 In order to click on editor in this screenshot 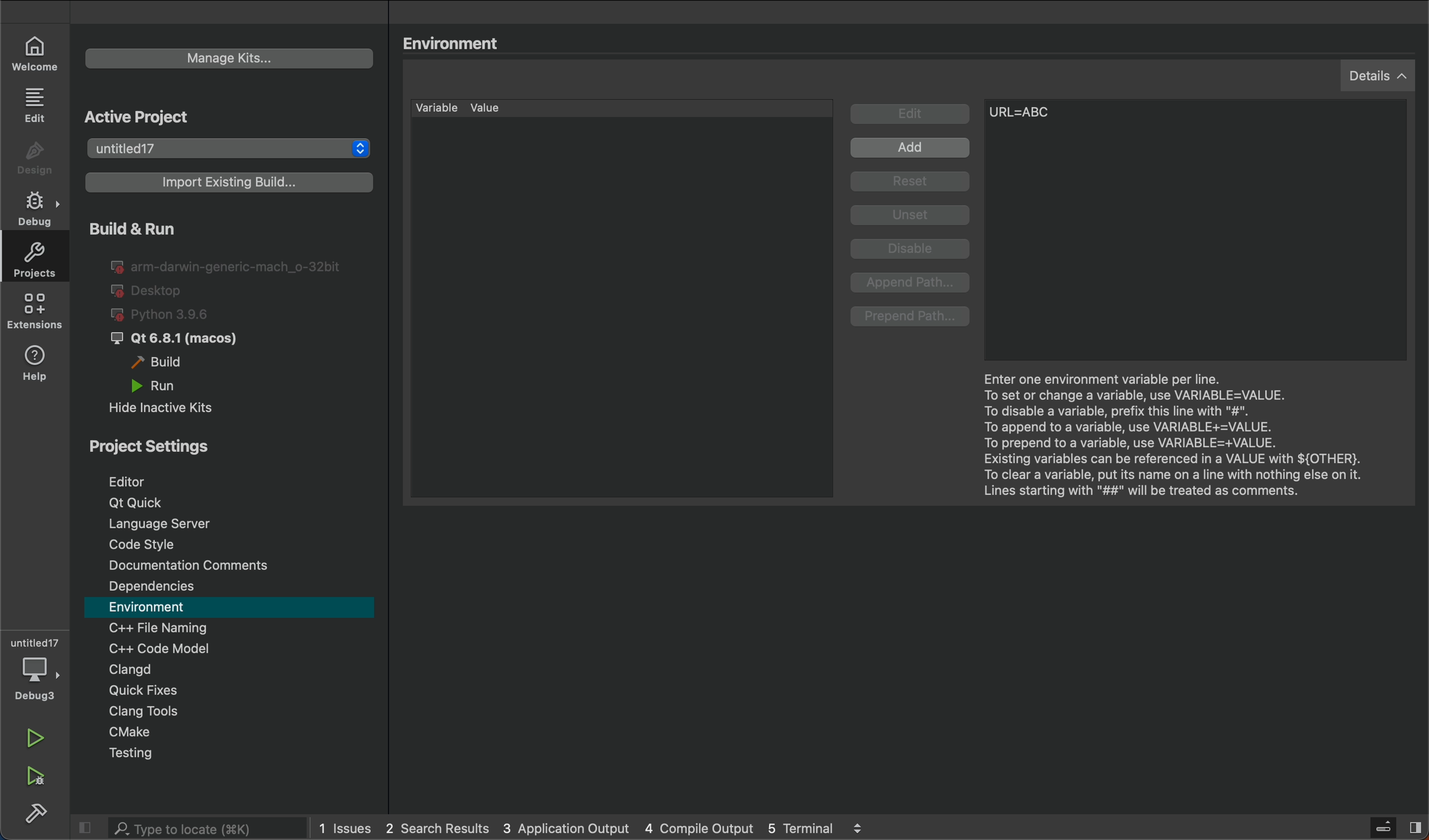, I will do `click(227, 478)`.